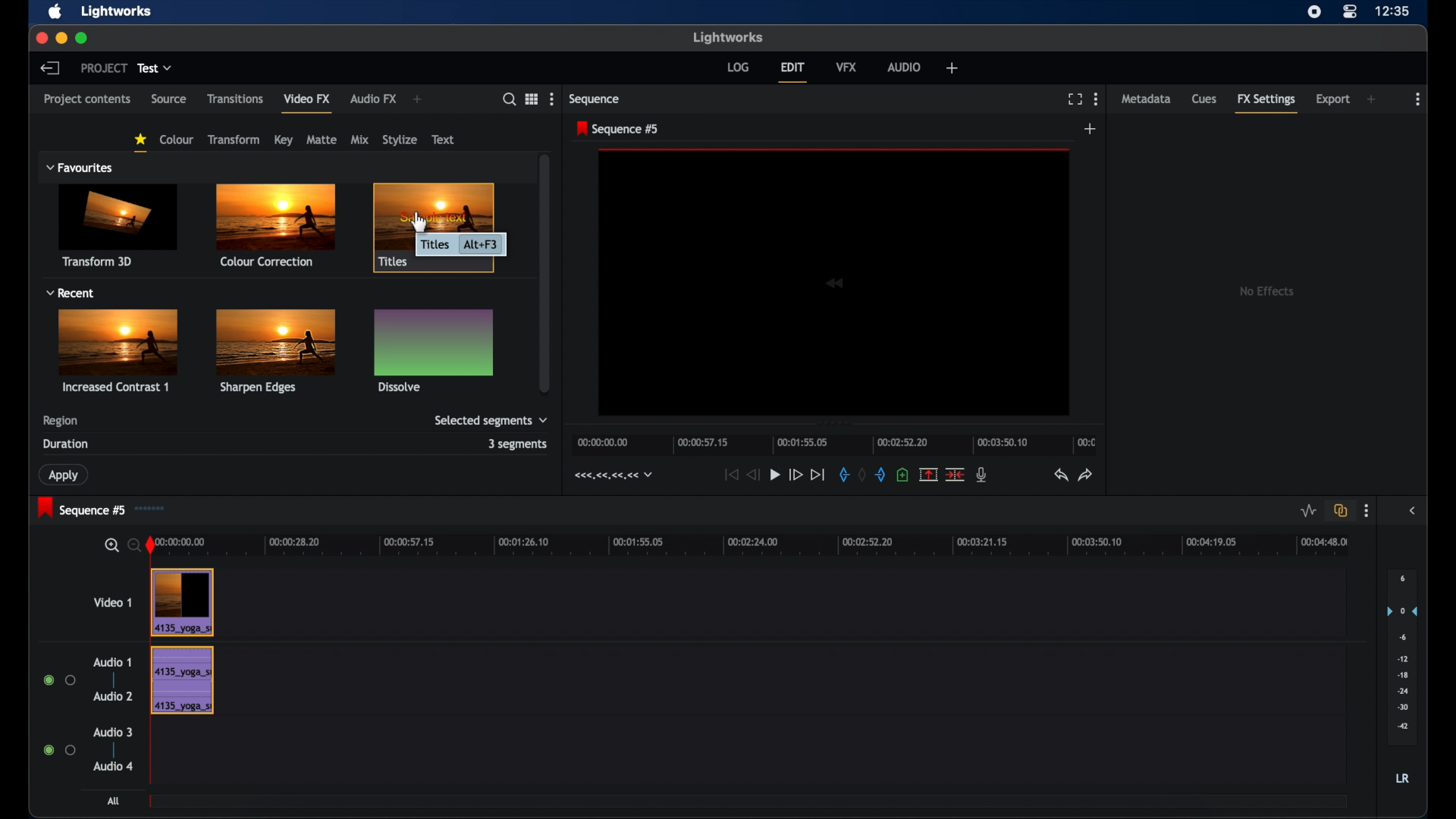 The height and width of the screenshot is (819, 1456). What do you see at coordinates (284, 140) in the screenshot?
I see `key` at bounding box center [284, 140].